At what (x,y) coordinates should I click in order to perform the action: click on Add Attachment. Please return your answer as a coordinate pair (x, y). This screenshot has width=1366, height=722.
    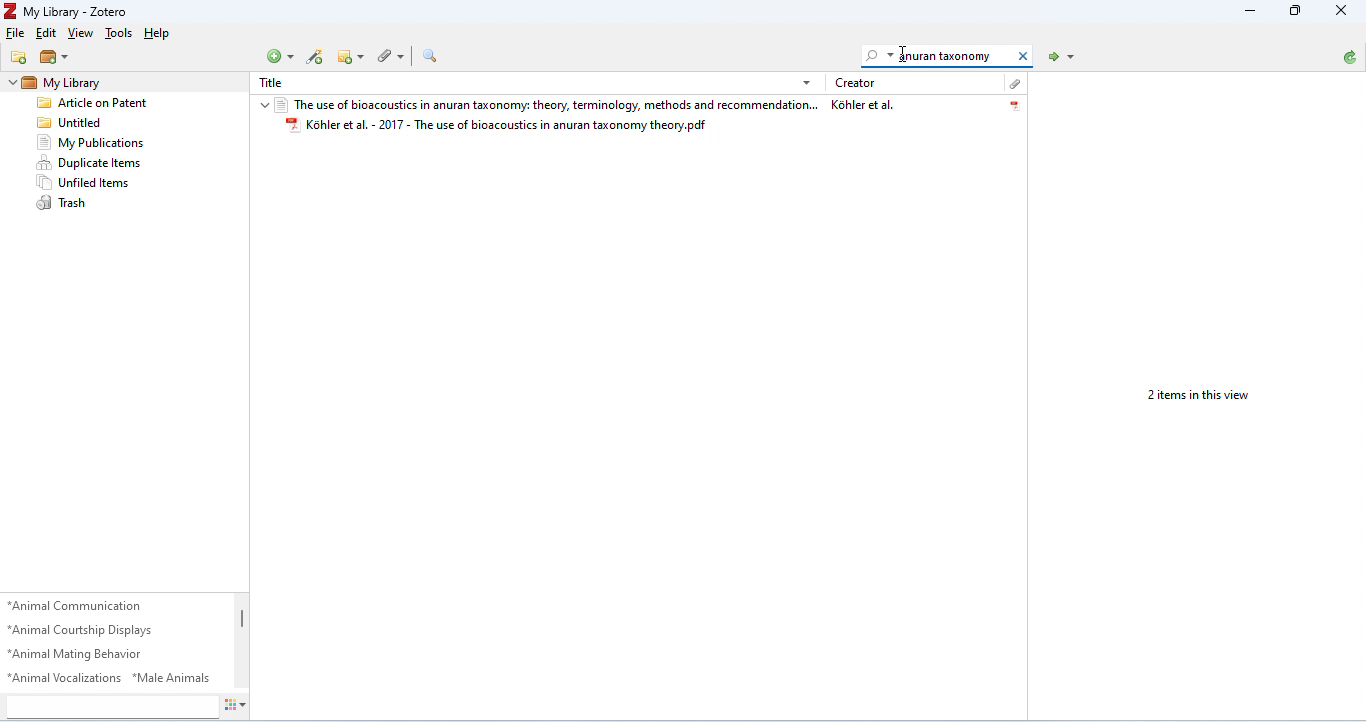
    Looking at the image, I should click on (391, 58).